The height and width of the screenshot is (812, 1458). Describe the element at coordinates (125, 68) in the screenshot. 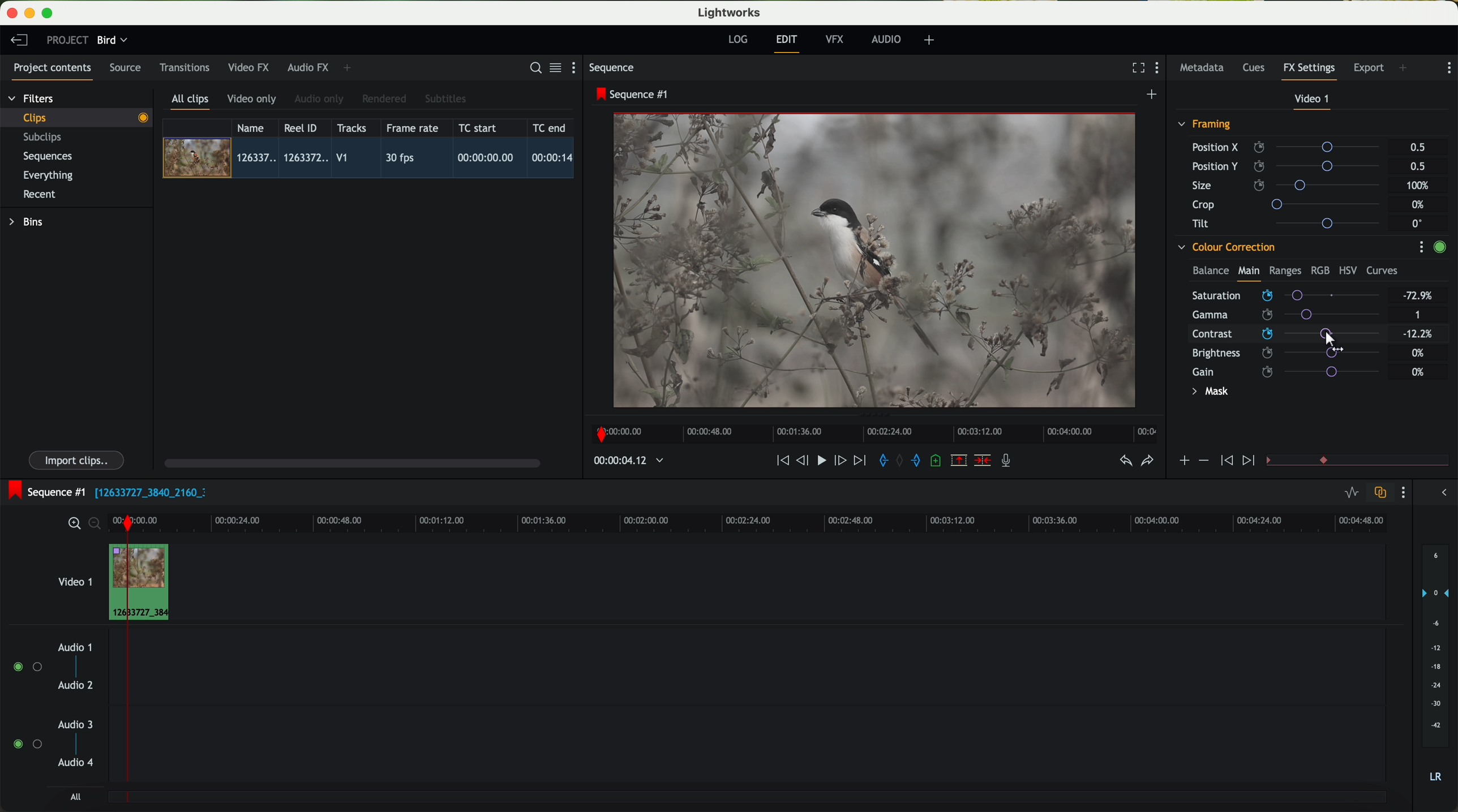

I see `source` at that location.